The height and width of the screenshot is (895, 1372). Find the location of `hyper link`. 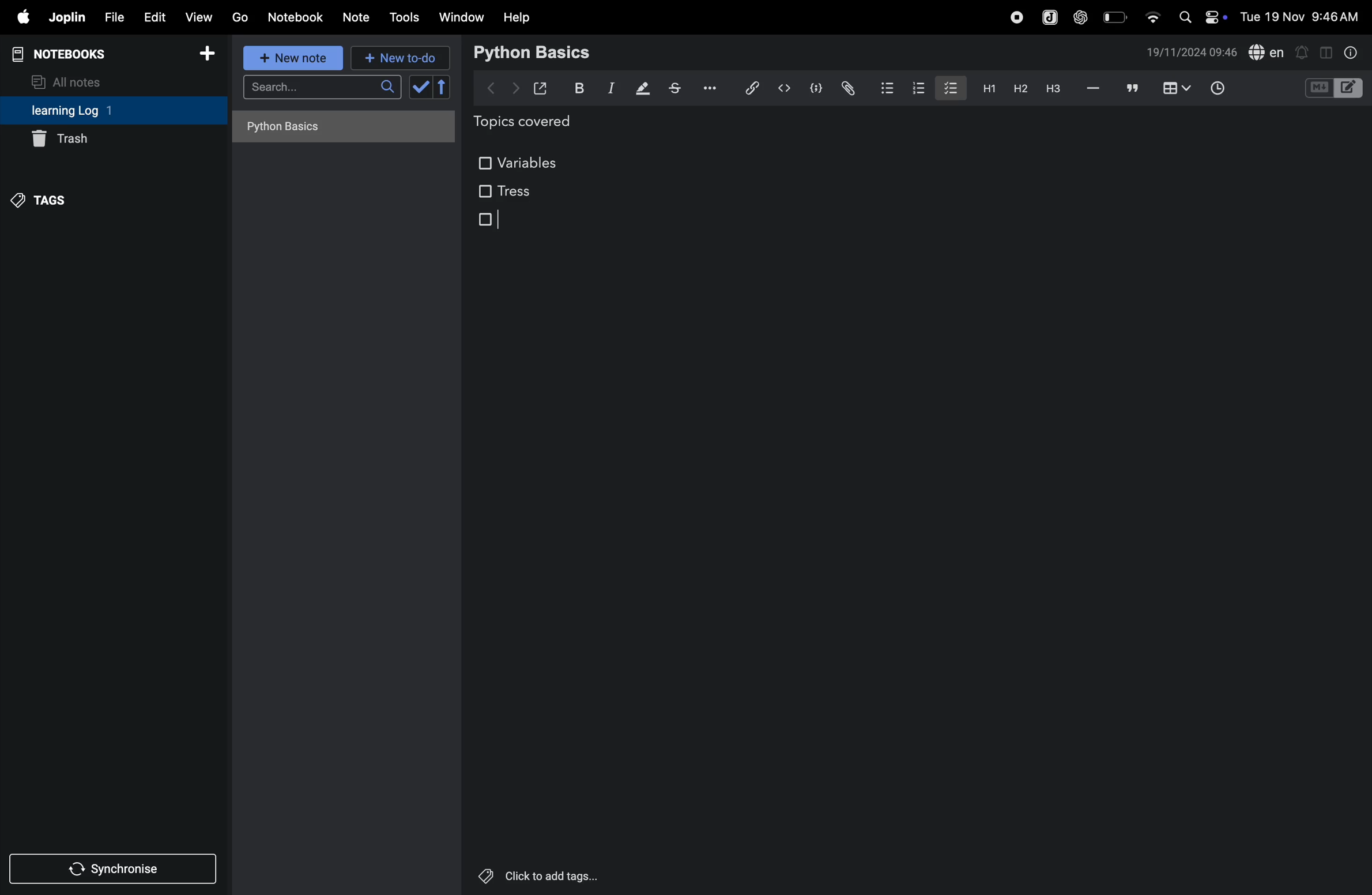

hyper link is located at coordinates (751, 88).